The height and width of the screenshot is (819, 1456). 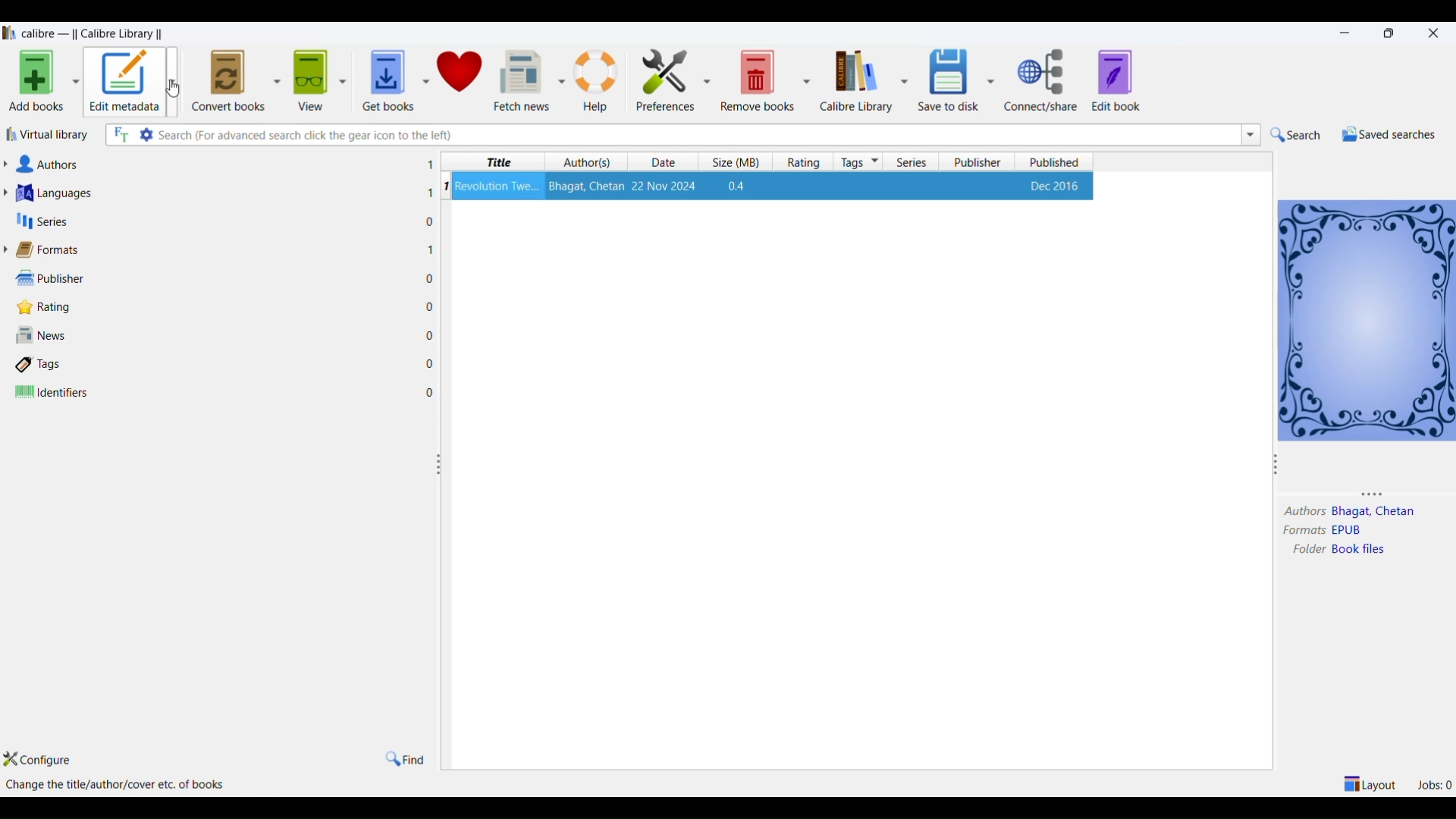 I want to click on folder name, so click(x=1362, y=550).